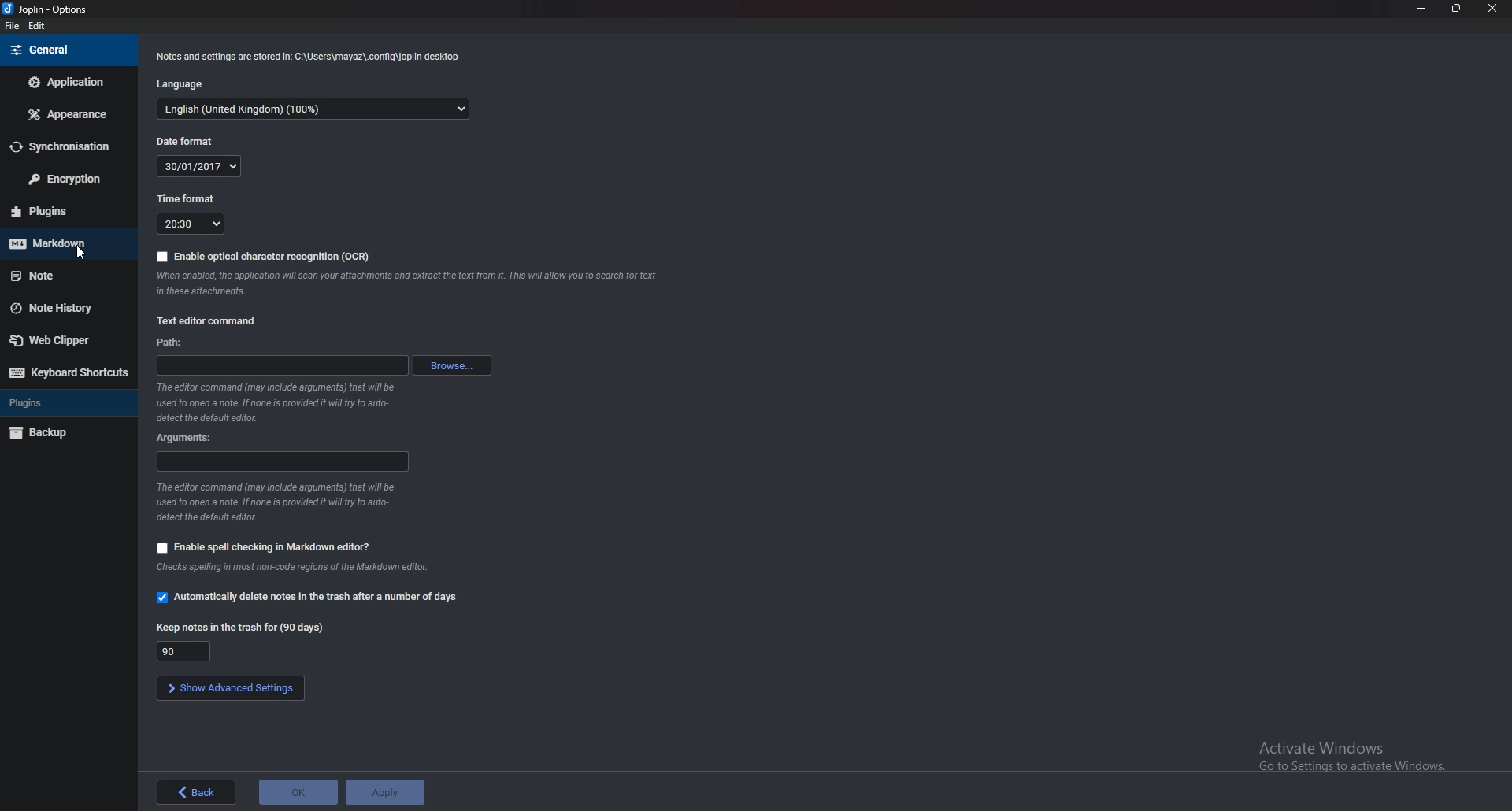 This screenshot has height=811, width=1512. I want to click on file, so click(13, 26).